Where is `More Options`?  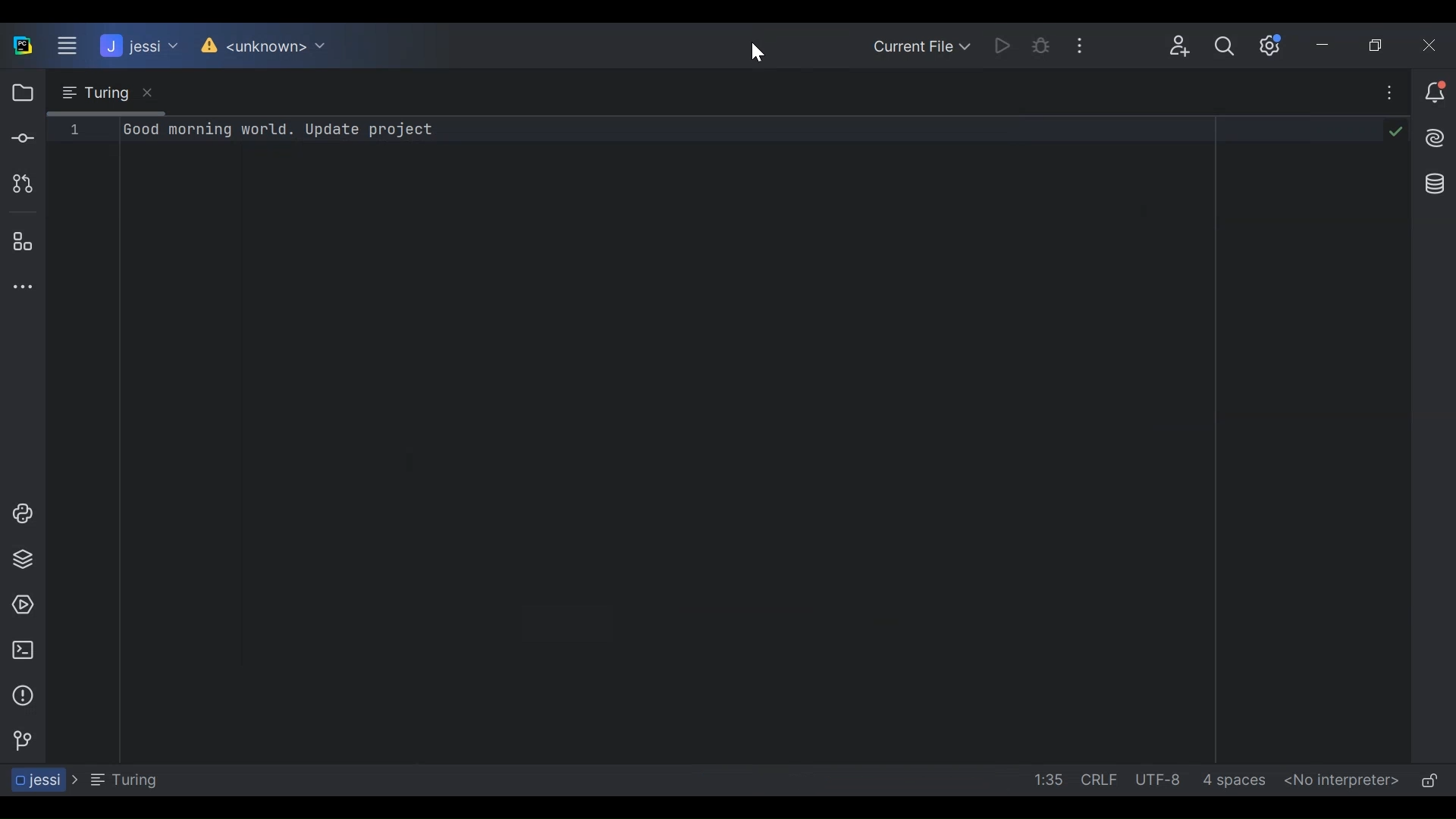 More Options is located at coordinates (1091, 45).